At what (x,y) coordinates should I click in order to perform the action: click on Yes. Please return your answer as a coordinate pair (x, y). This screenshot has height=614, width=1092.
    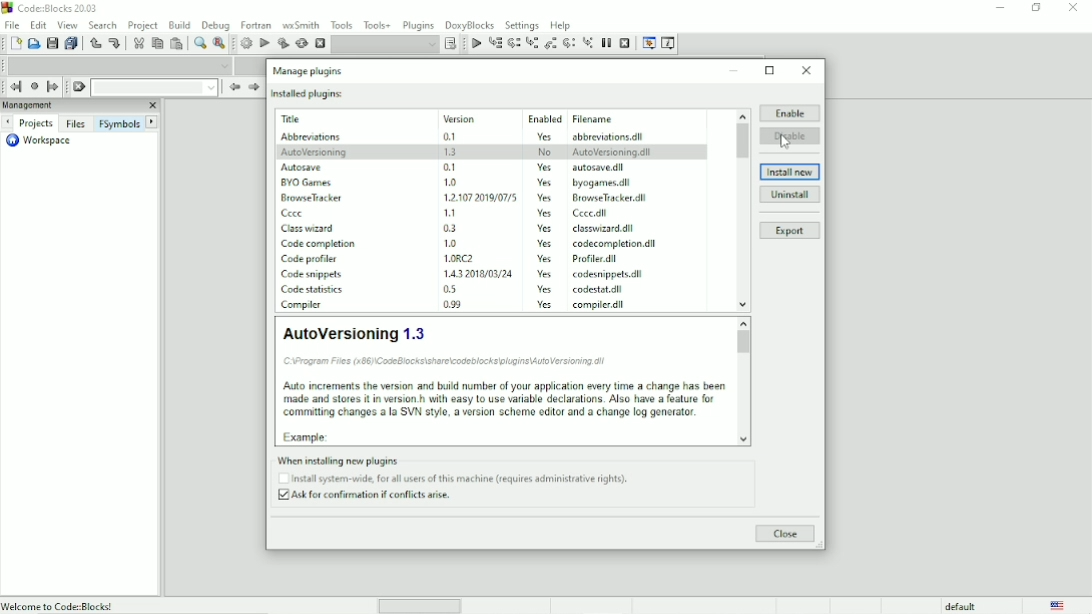
    Looking at the image, I should click on (547, 214).